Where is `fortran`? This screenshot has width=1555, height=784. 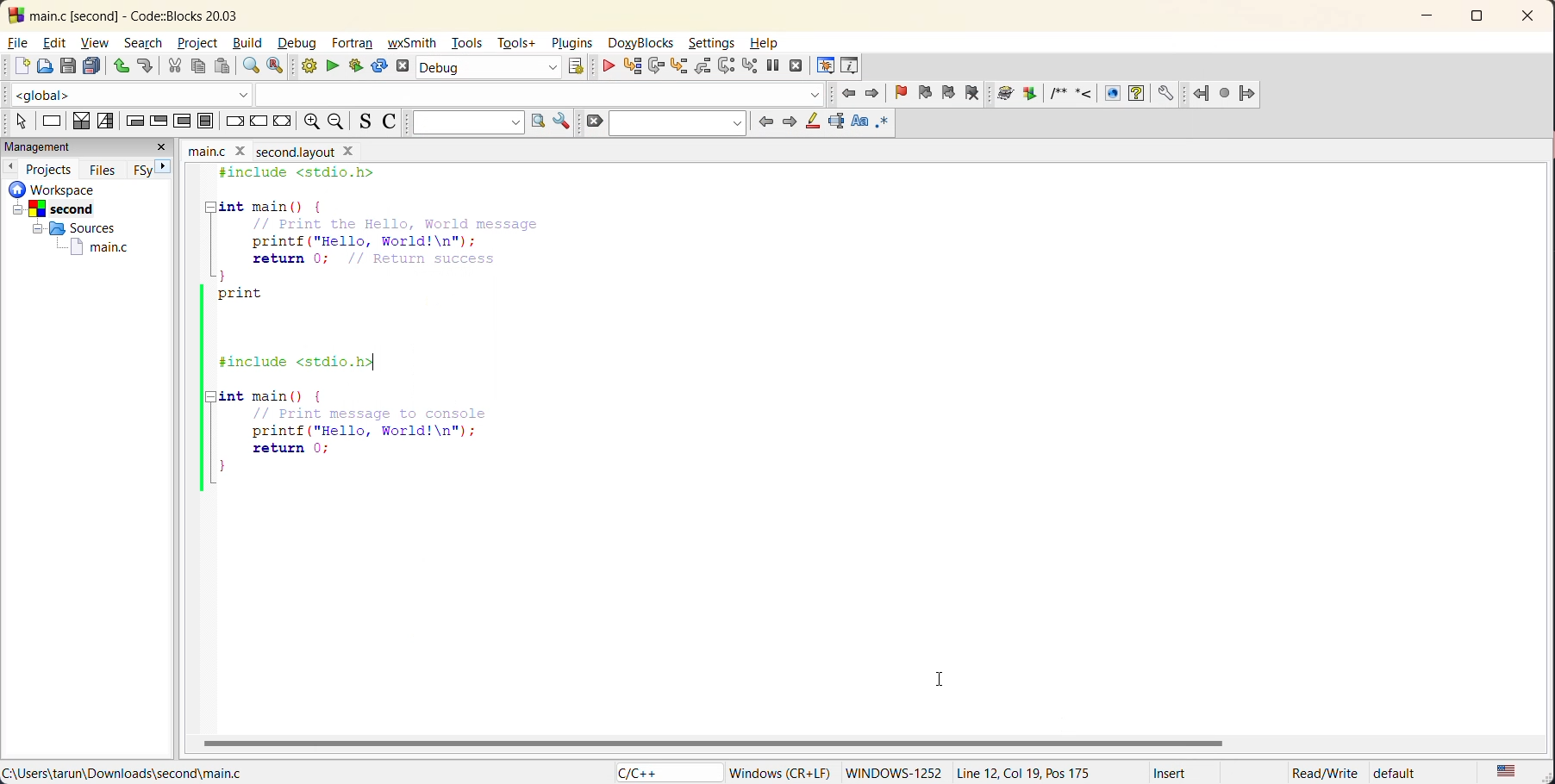 fortran is located at coordinates (354, 43).